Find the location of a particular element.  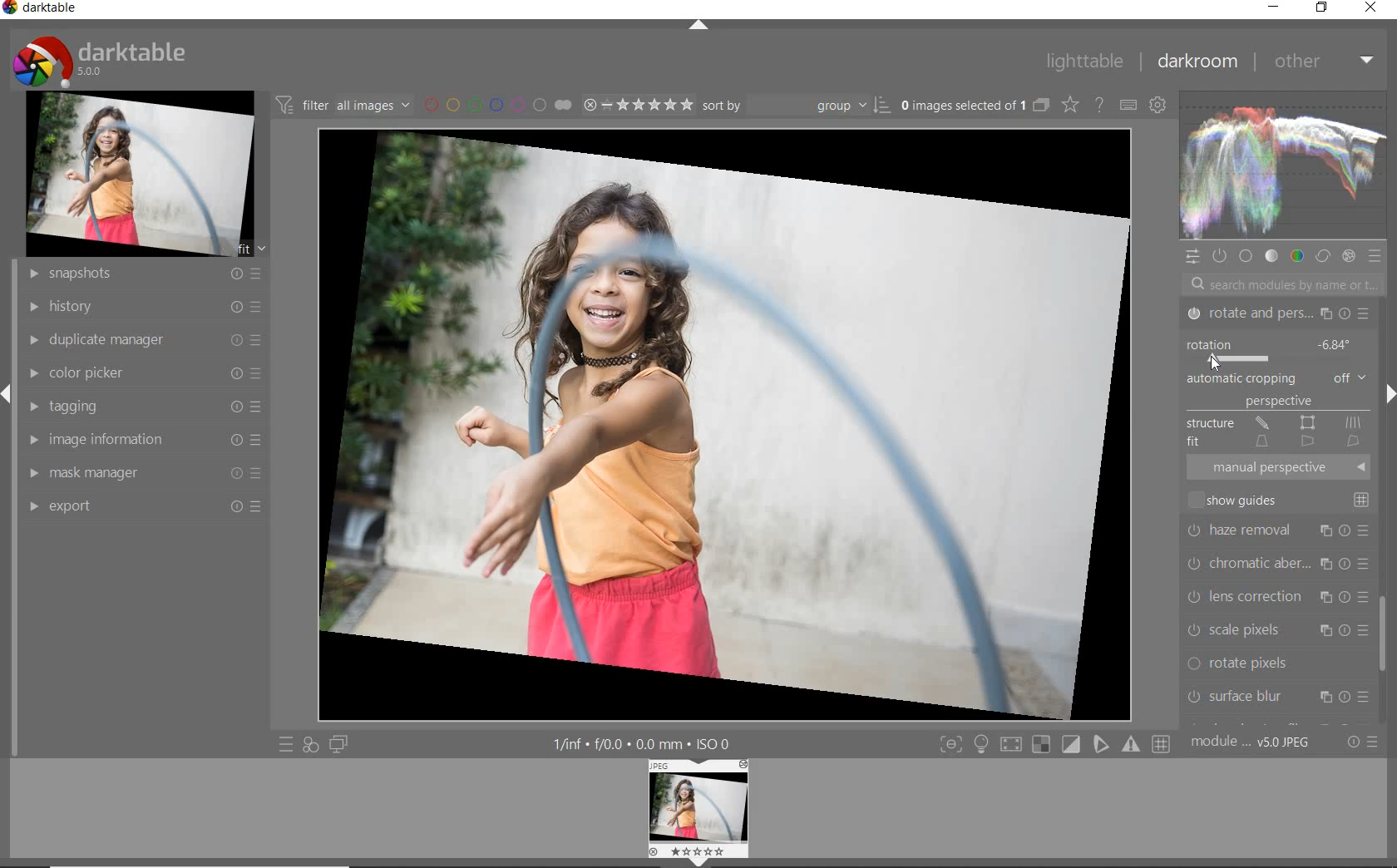

selected image is located at coordinates (725, 423).